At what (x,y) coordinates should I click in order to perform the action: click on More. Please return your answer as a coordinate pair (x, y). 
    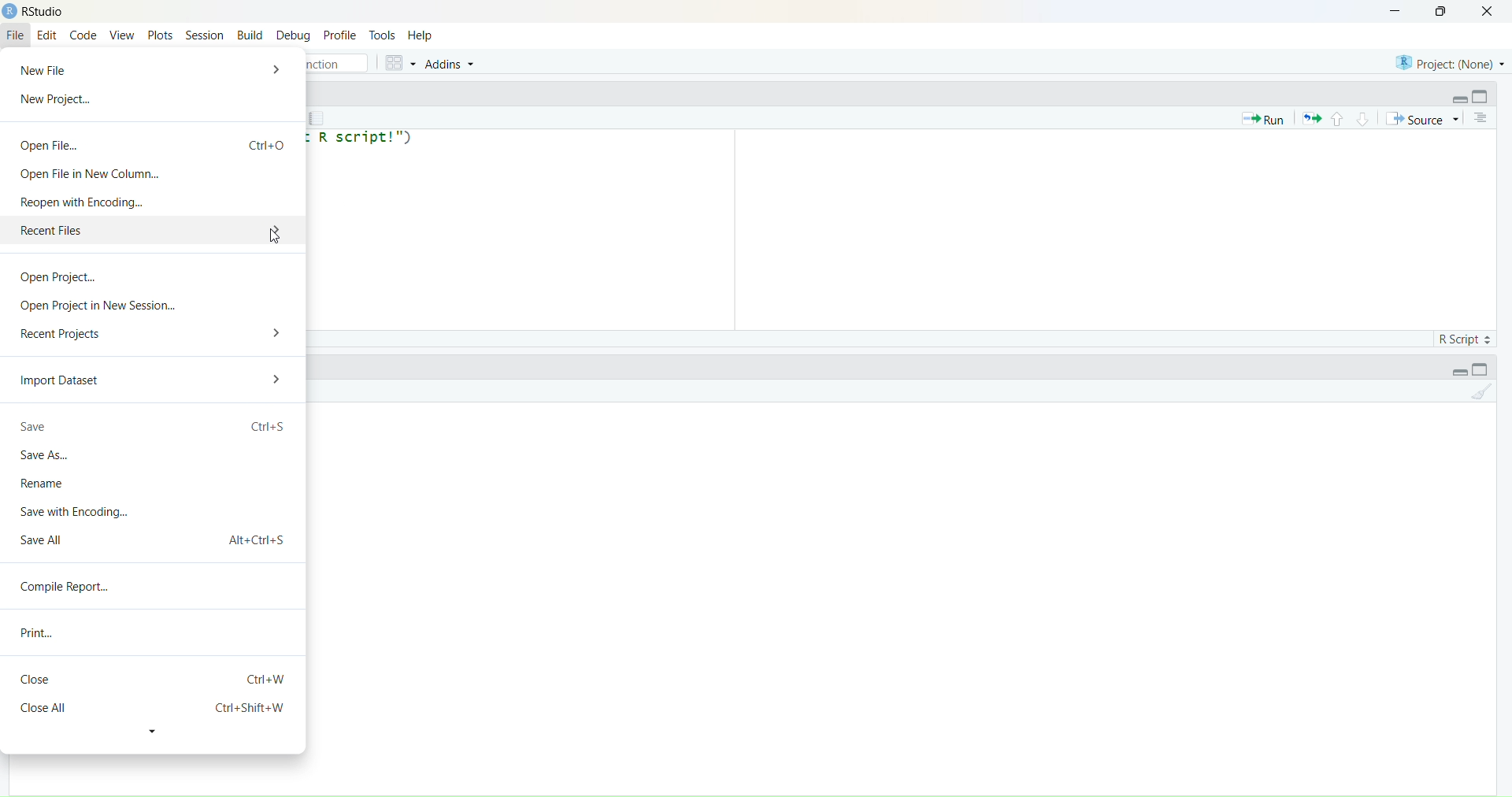
    Looking at the image, I should click on (279, 69).